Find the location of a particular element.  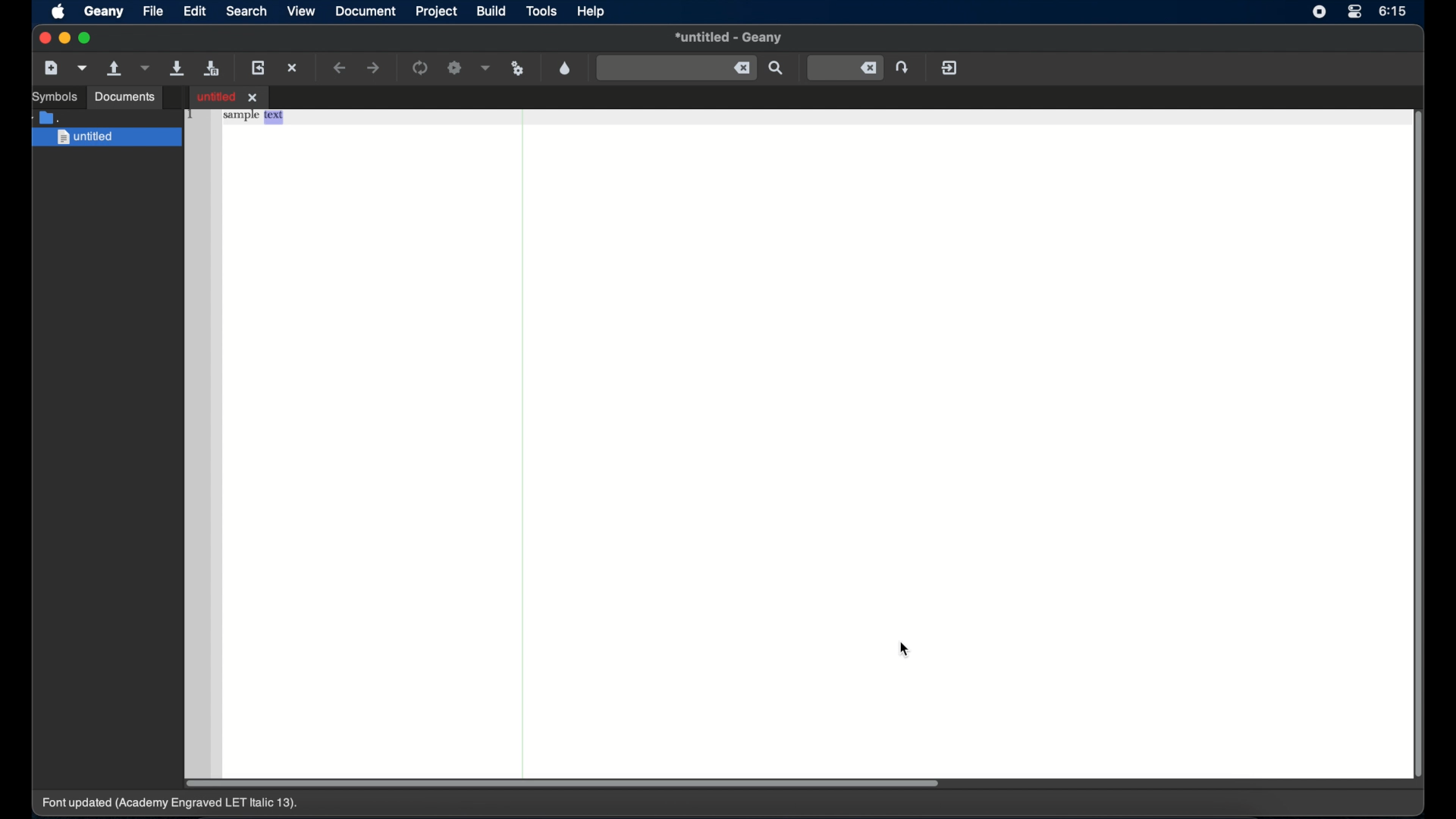

jump to entered line number is located at coordinates (846, 68).